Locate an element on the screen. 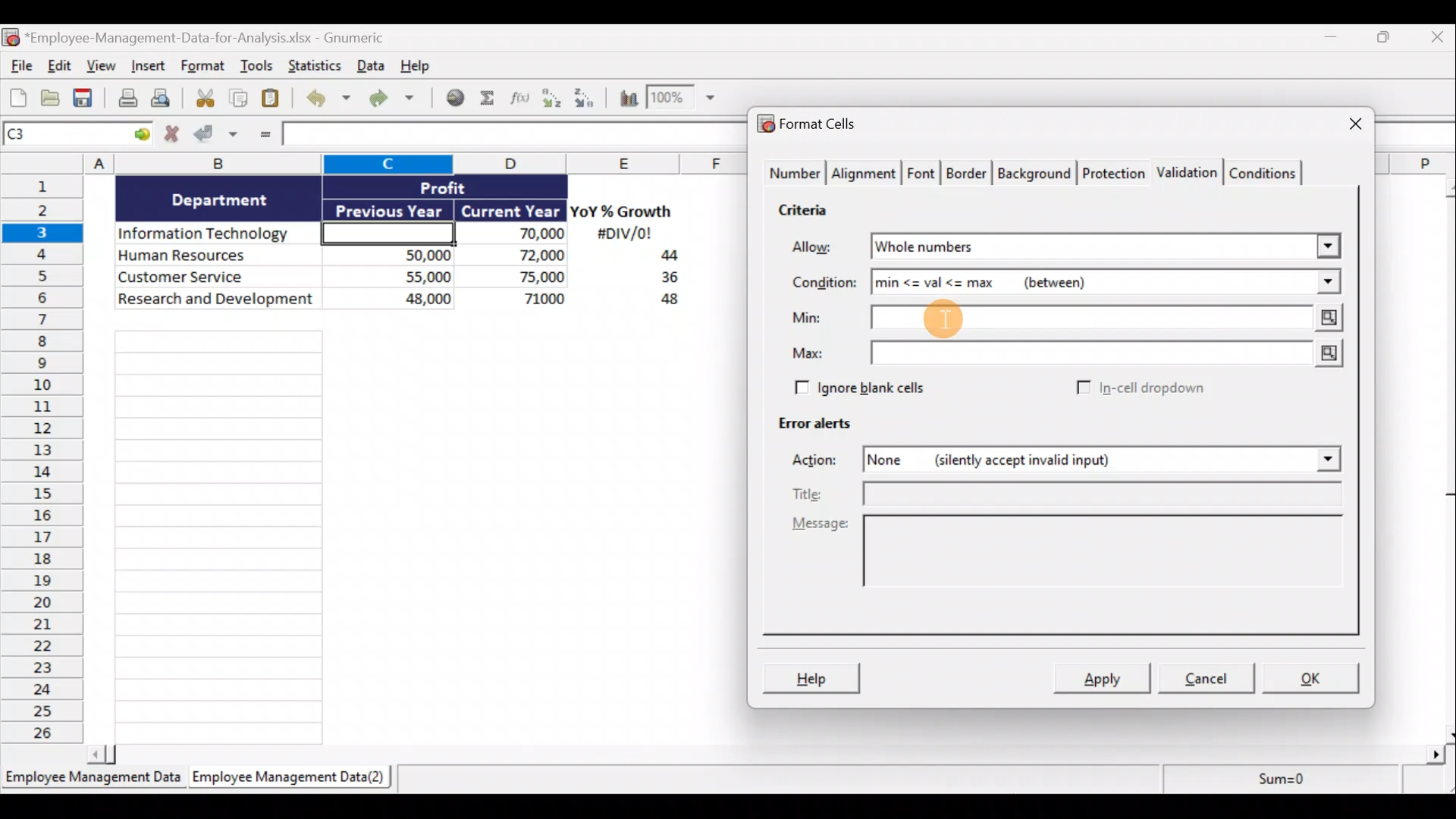 This screenshot has width=1456, height=819. Font is located at coordinates (922, 171).